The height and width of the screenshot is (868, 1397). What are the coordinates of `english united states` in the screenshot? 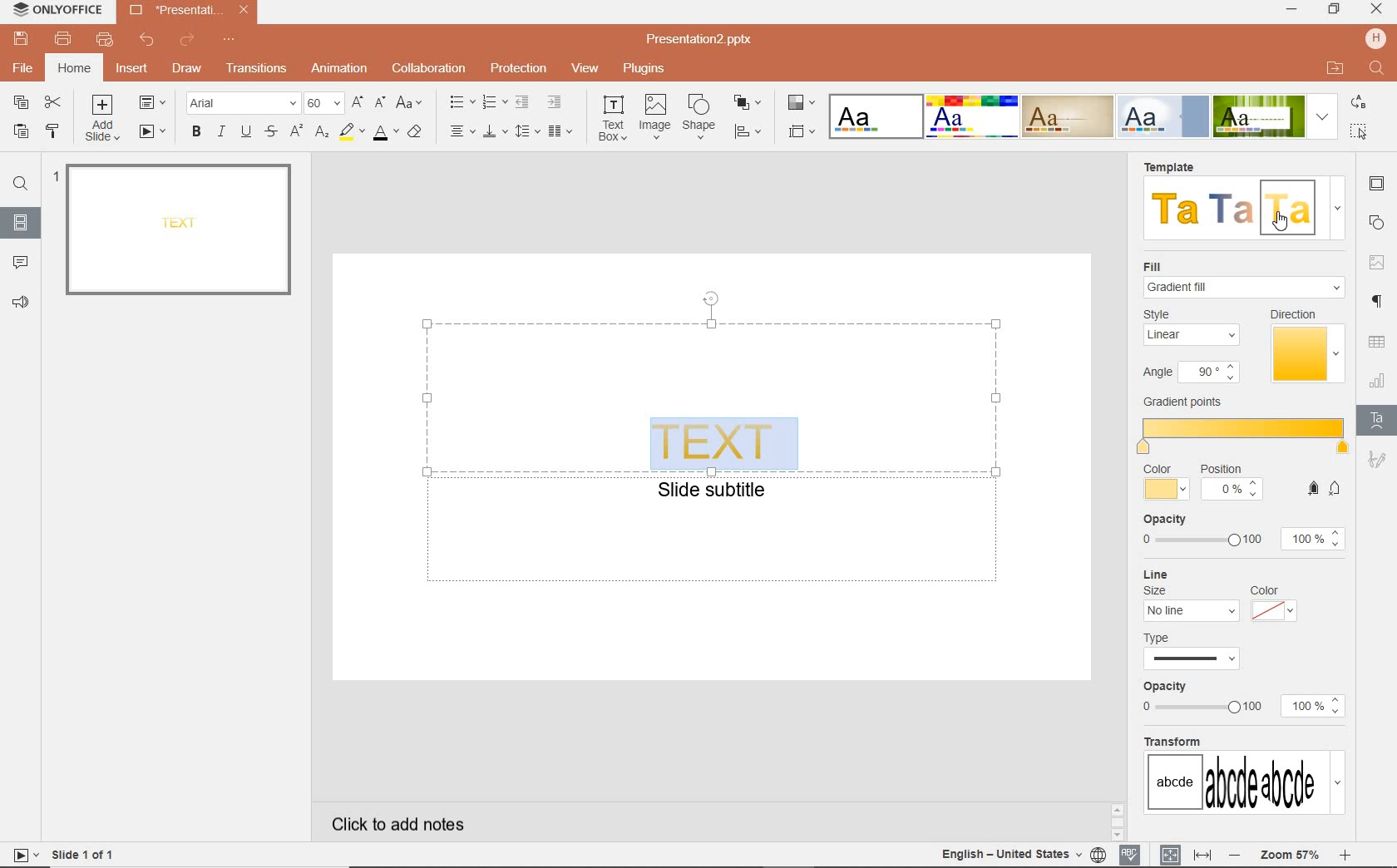 It's located at (1008, 856).